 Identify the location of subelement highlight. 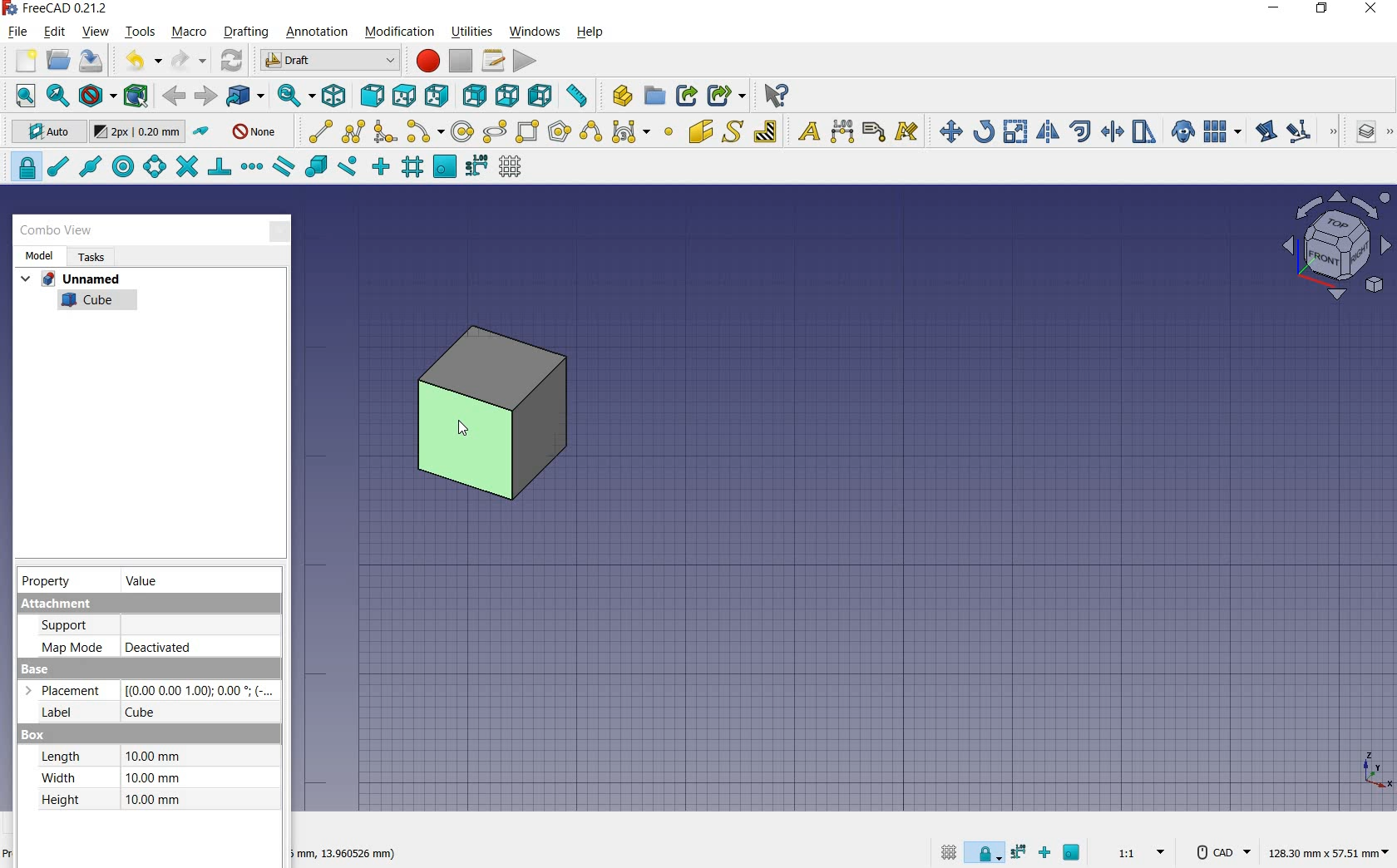
(1299, 133).